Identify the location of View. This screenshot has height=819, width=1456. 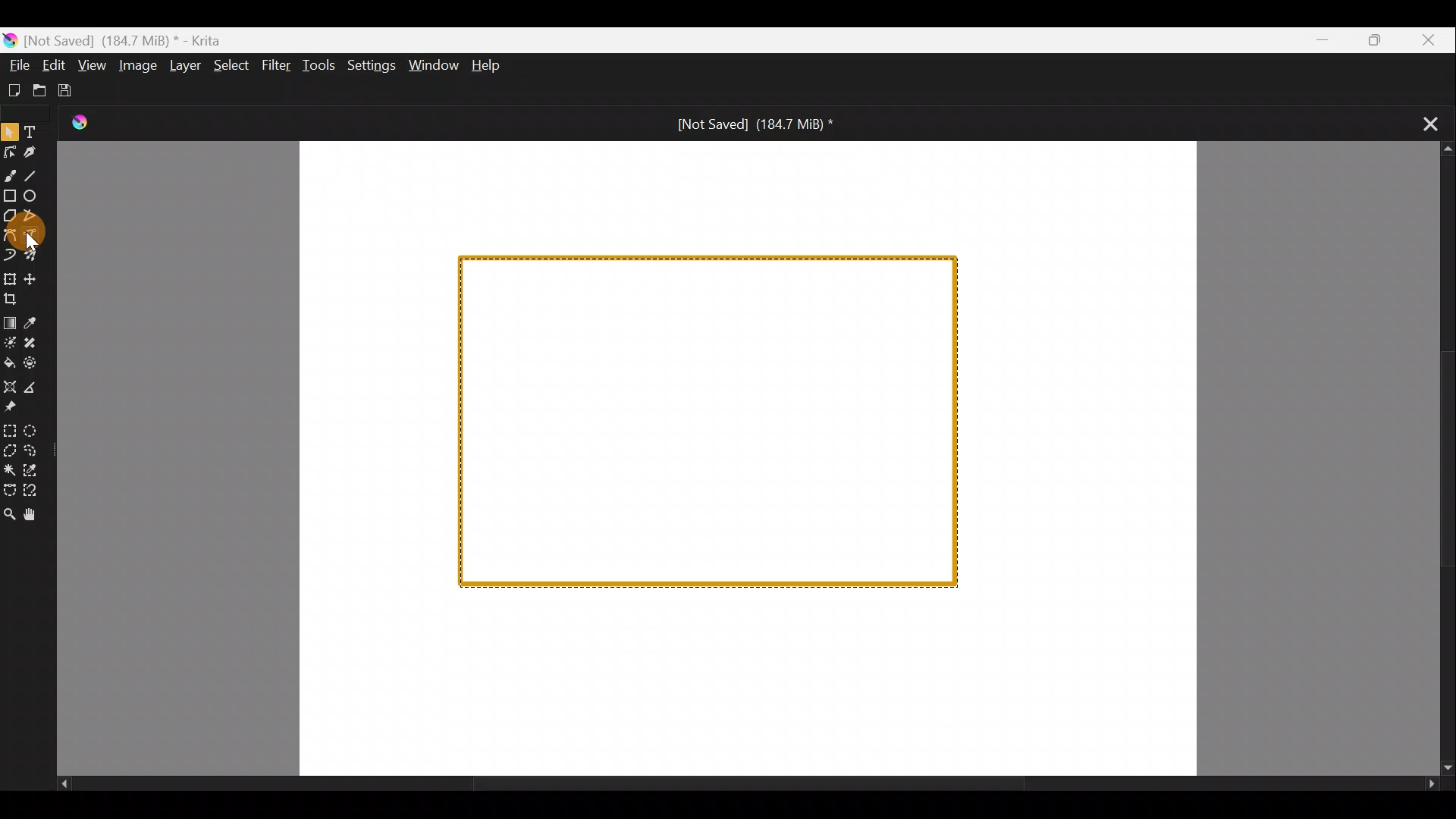
(92, 65).